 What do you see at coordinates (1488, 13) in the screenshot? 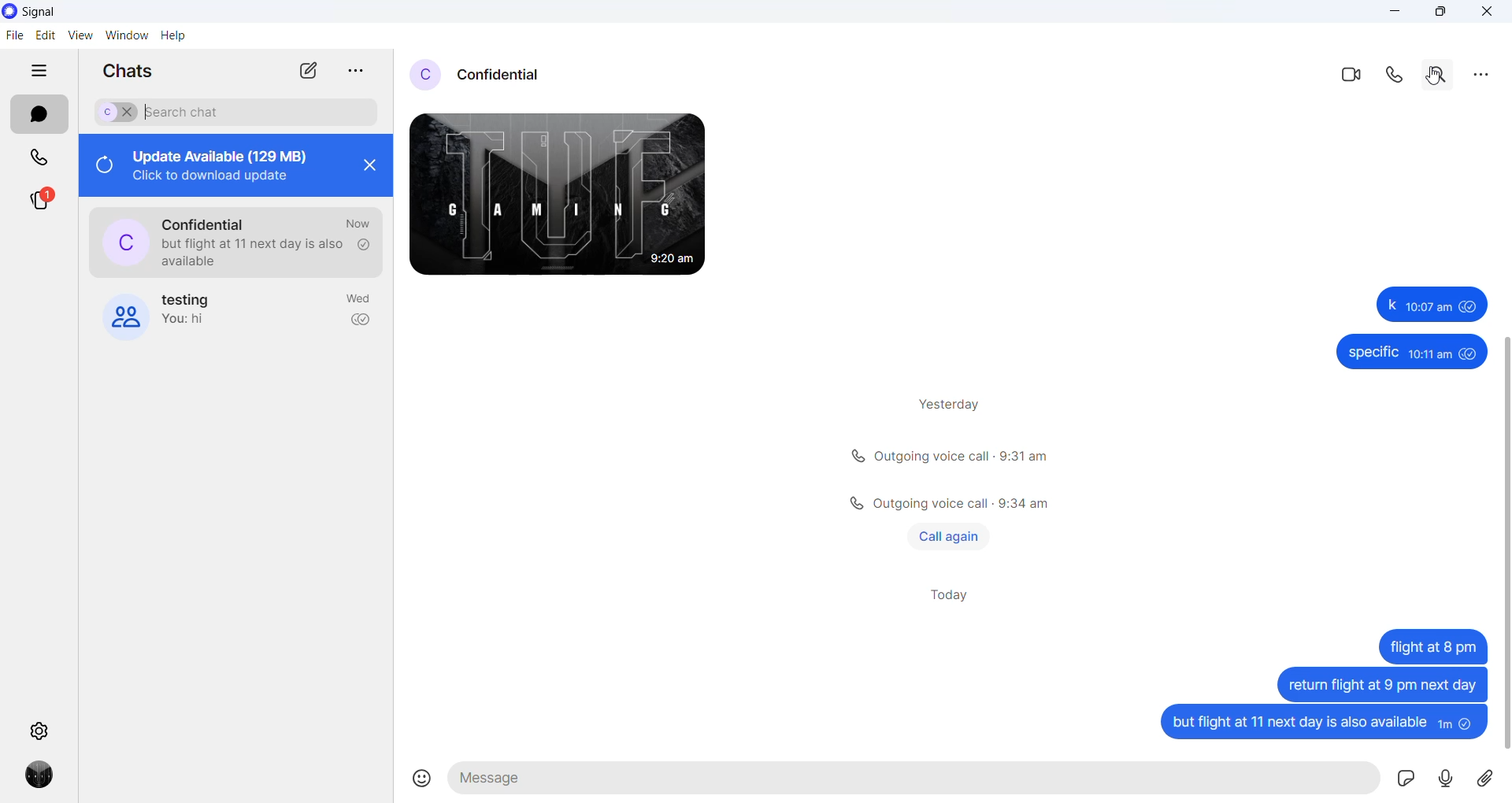
I see `close` at bounding box center [1488, 13].